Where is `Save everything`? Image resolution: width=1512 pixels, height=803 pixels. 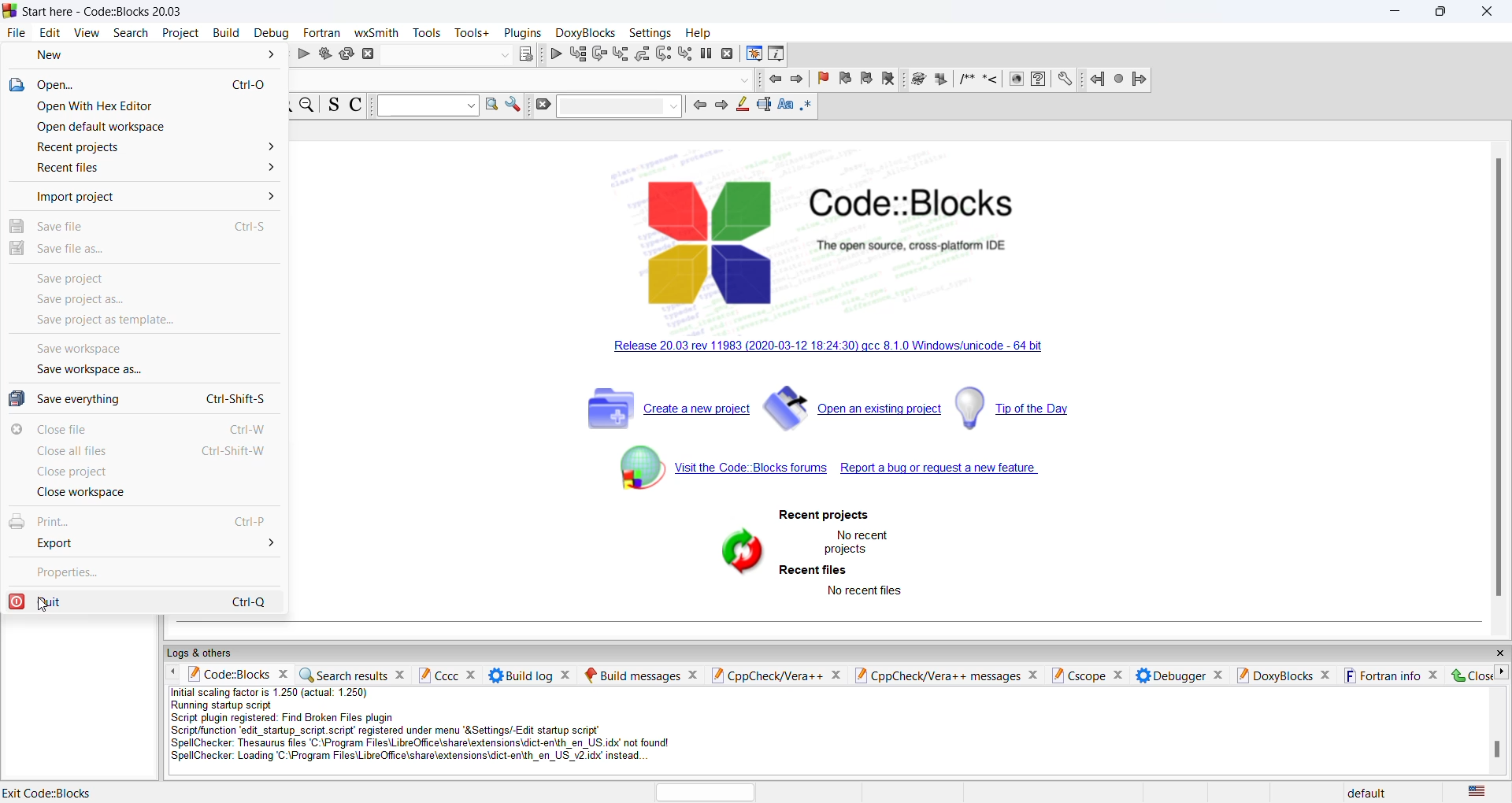
Save everything is located at coordinates (79, 398).